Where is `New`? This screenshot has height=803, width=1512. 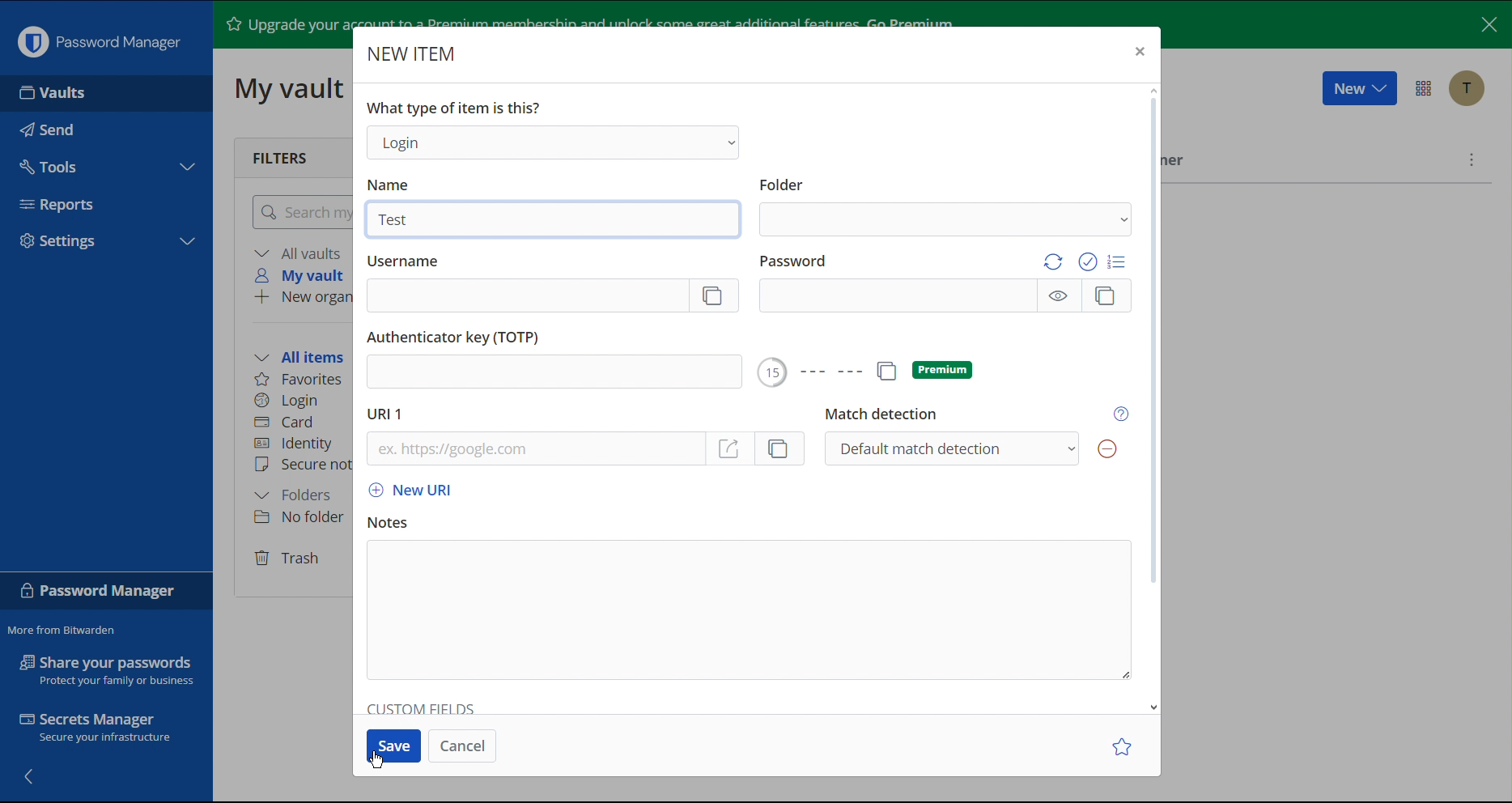 New is located at coordinates (1359, 87).